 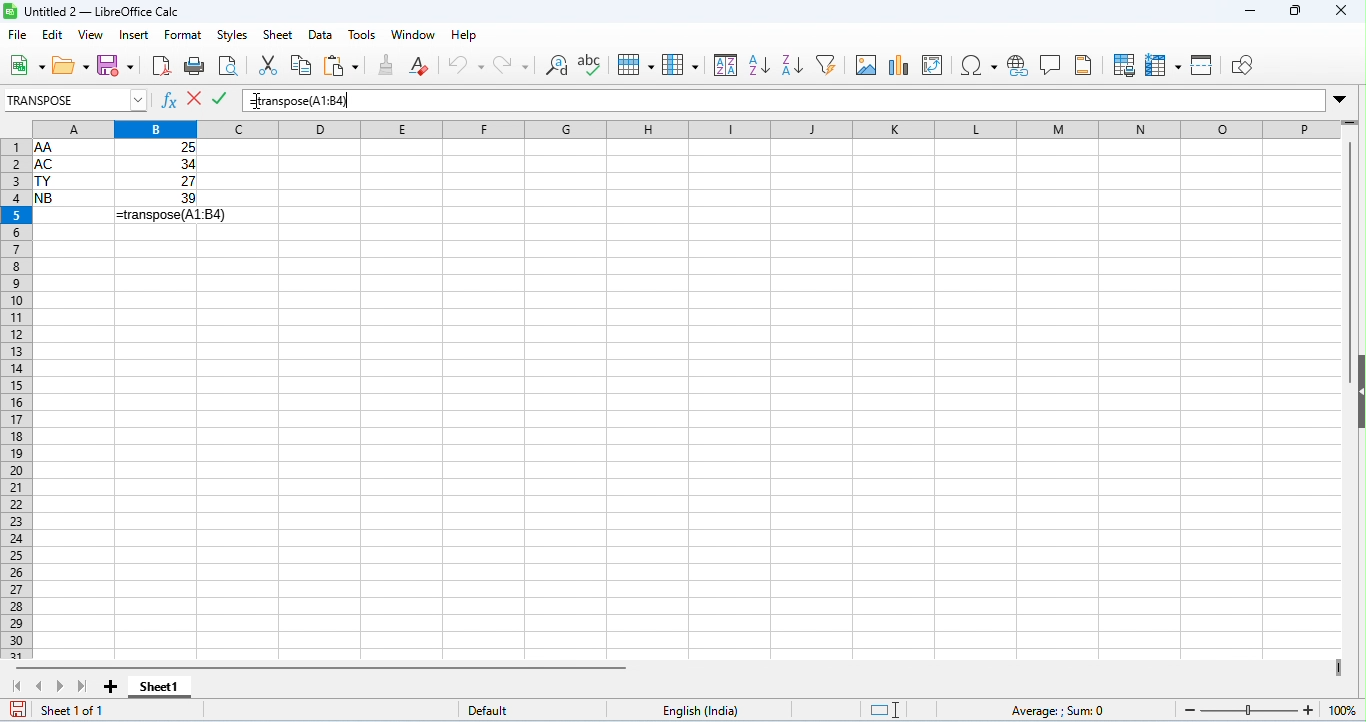 I want to click on export pdf, so click(x=161, y=66).